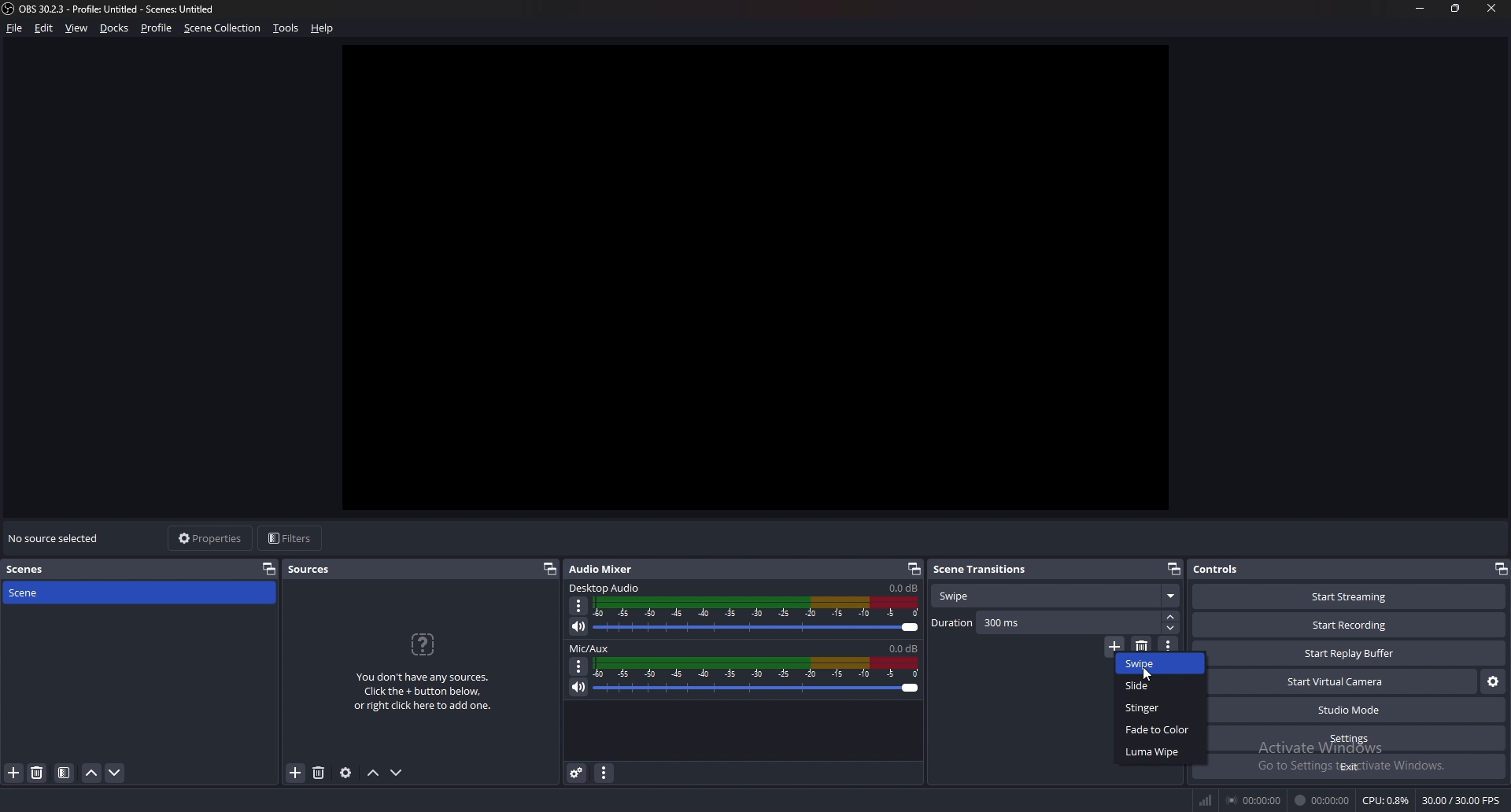 This screenshot has height=812, width=1511. Describe the element at coordinates (905, 589) in the screenshot. I see `0.0db` at that location.